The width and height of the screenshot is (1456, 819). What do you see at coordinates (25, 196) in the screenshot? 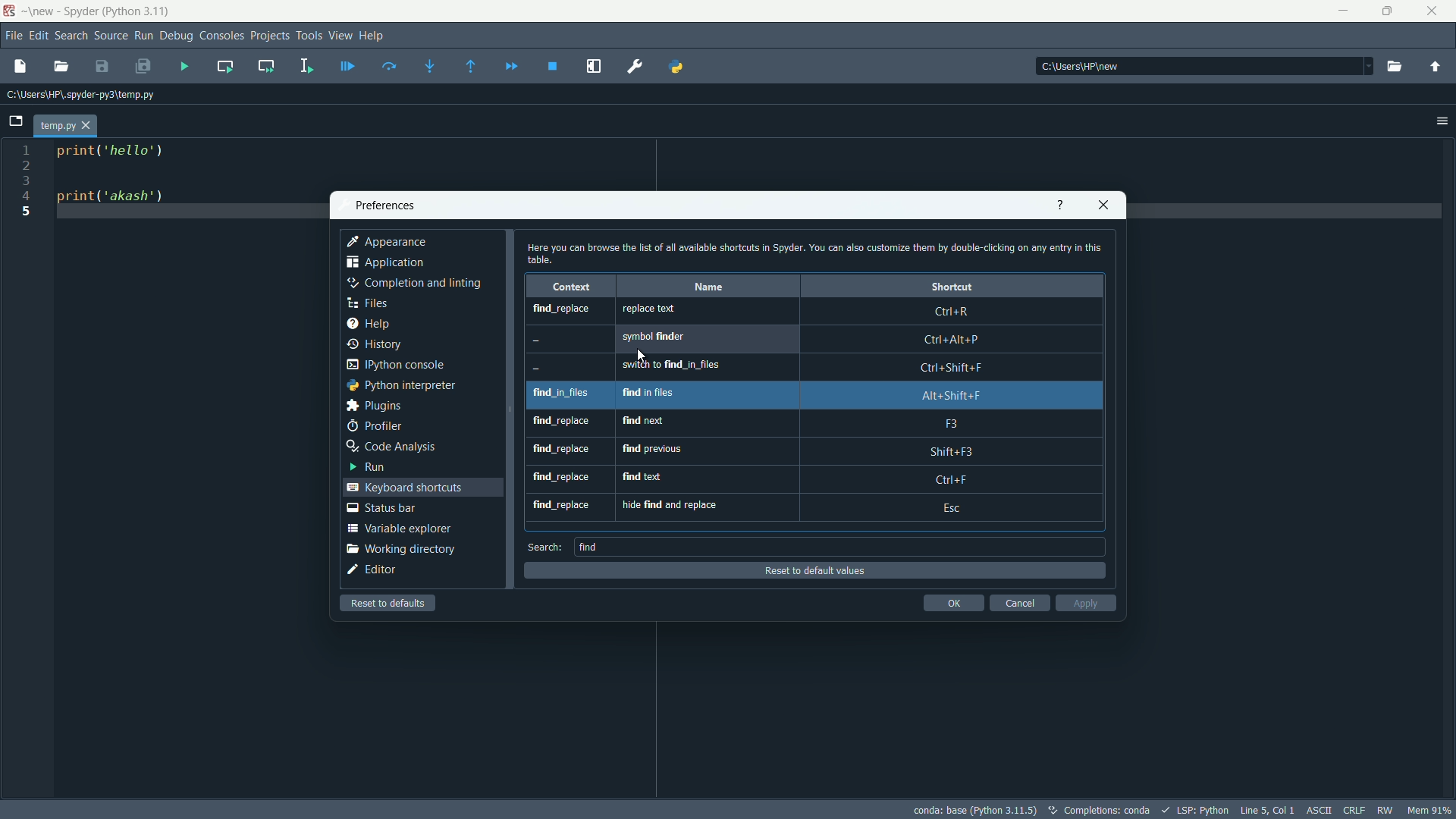
I see `4` at bounding box center [25, 196].